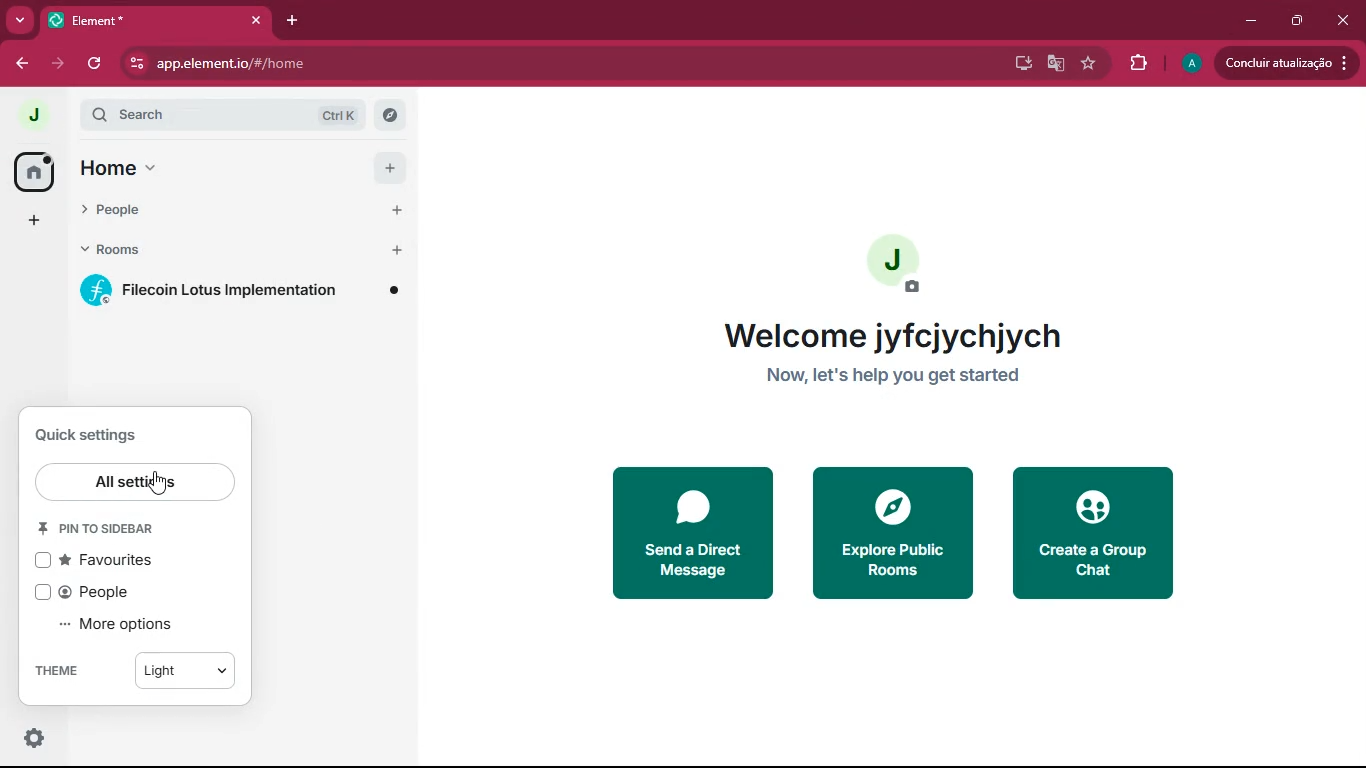  I want to click on element, so click(159, 20).